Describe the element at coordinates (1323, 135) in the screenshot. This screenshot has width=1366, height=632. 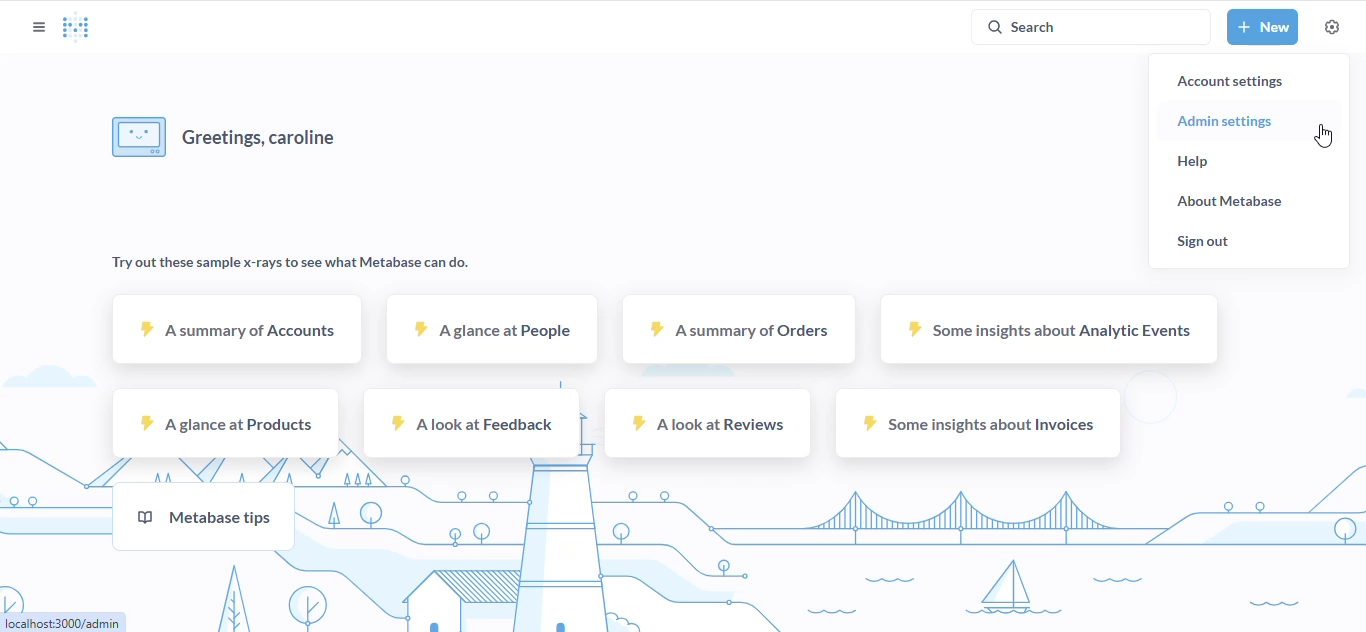
I see `cursor` at that location.